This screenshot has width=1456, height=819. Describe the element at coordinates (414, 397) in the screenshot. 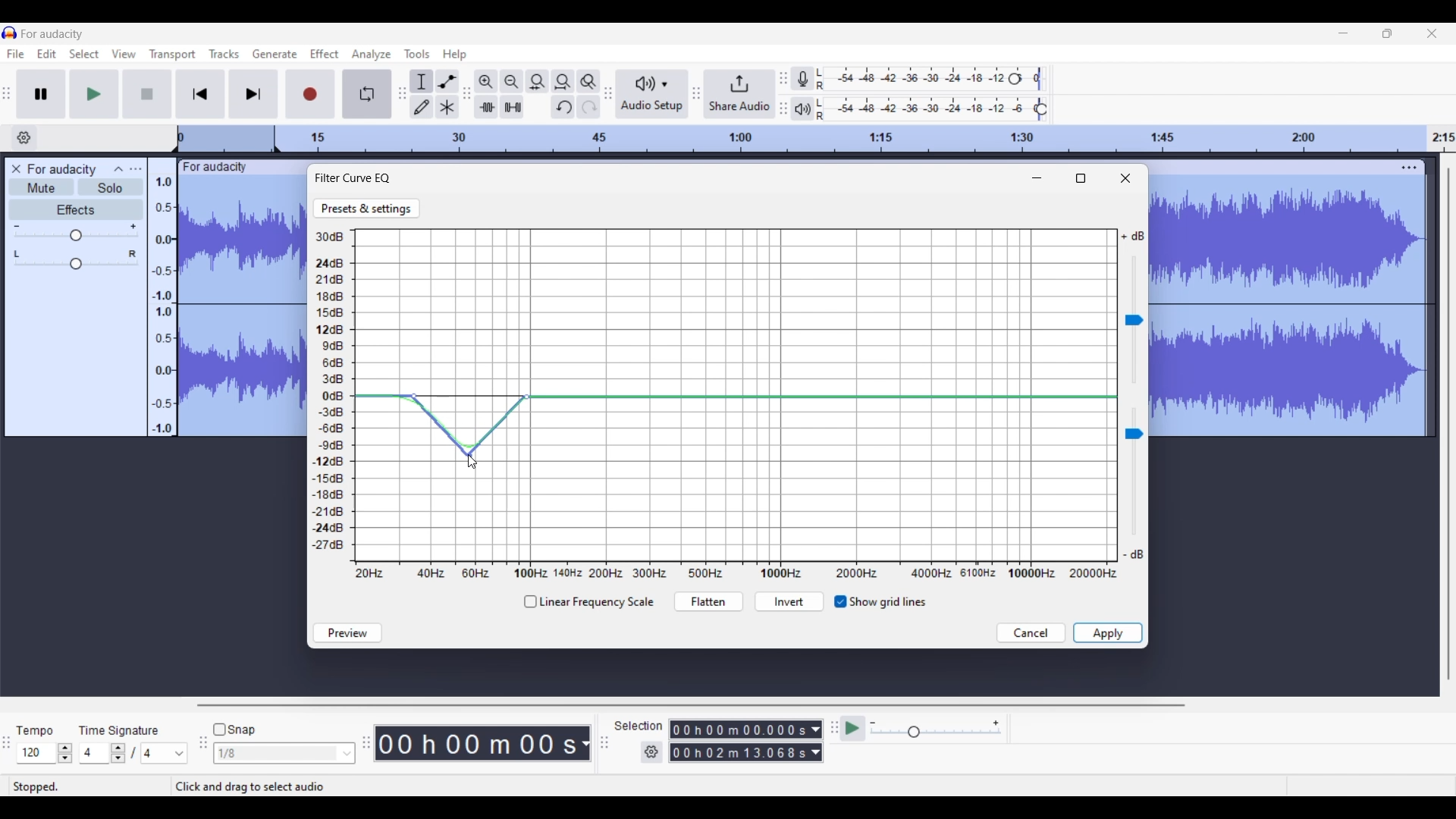

I see `Point added to curve` at that location.